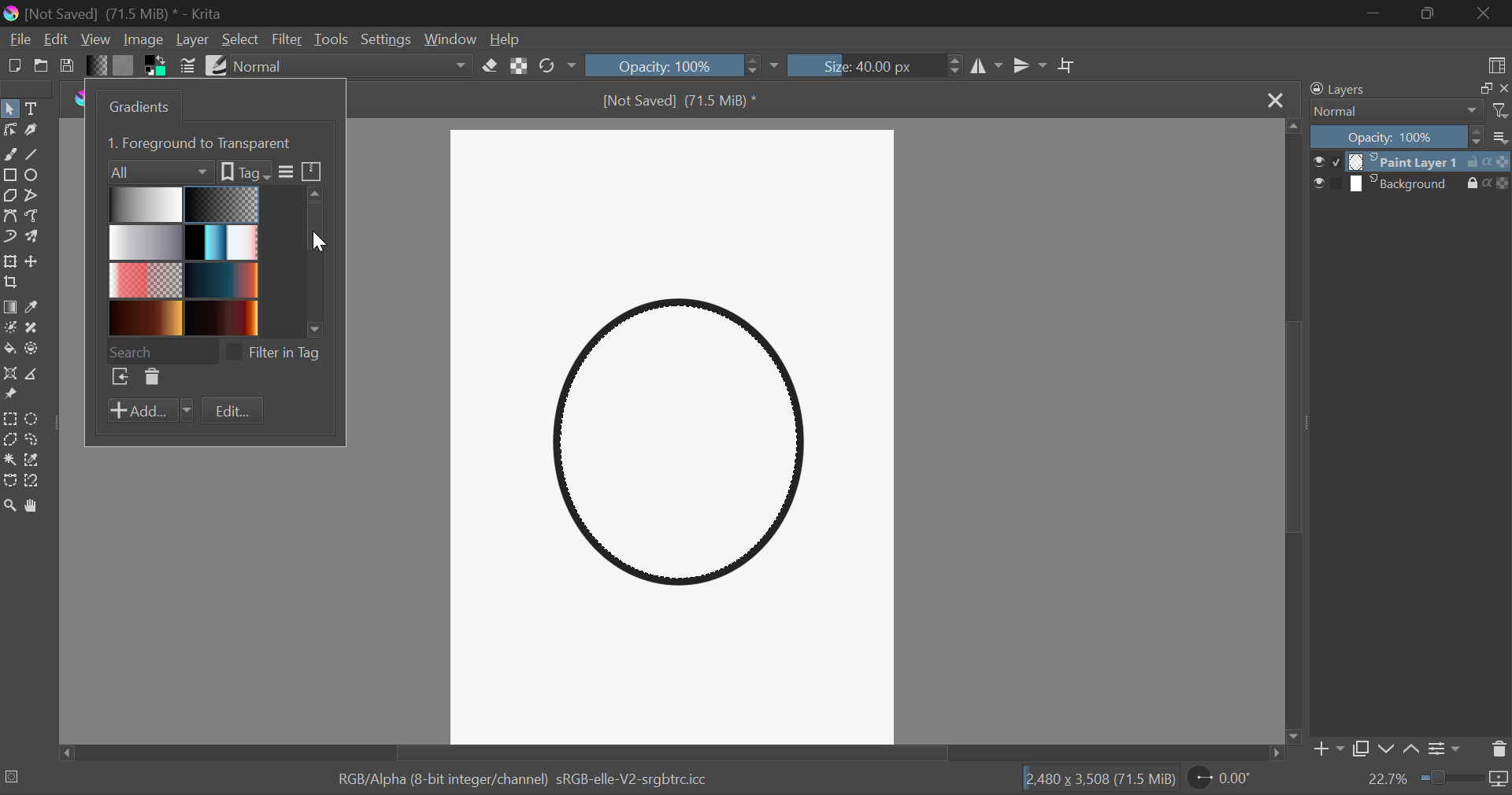 This screenshot has width=1512, height=795. Describe the element at coordinates (1447, 749) in the screenshot. I see `Settings` at that location.